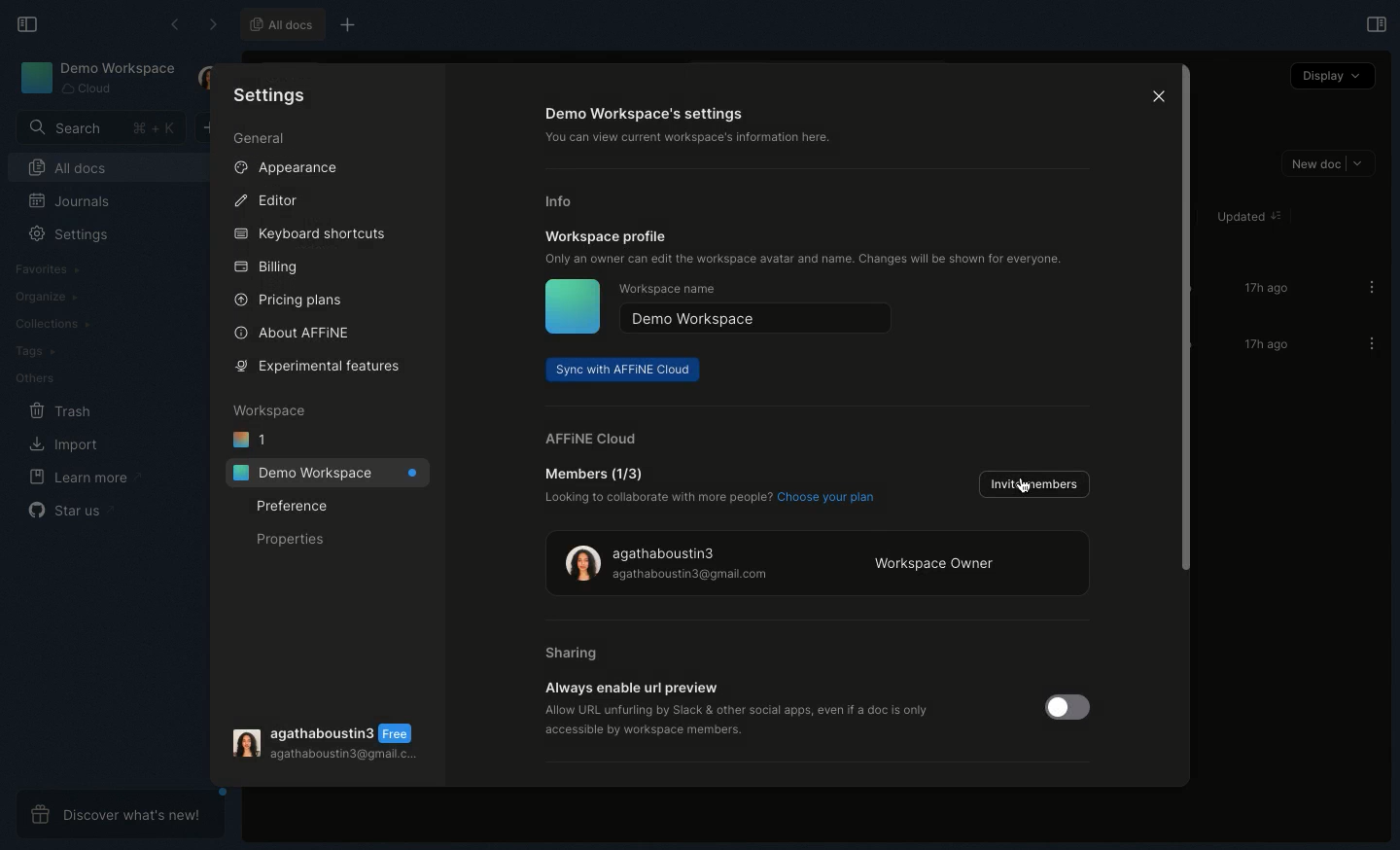  Describe the element at coordinates (607, 235) in the screenshot. I see `Workspace profile` at that location.